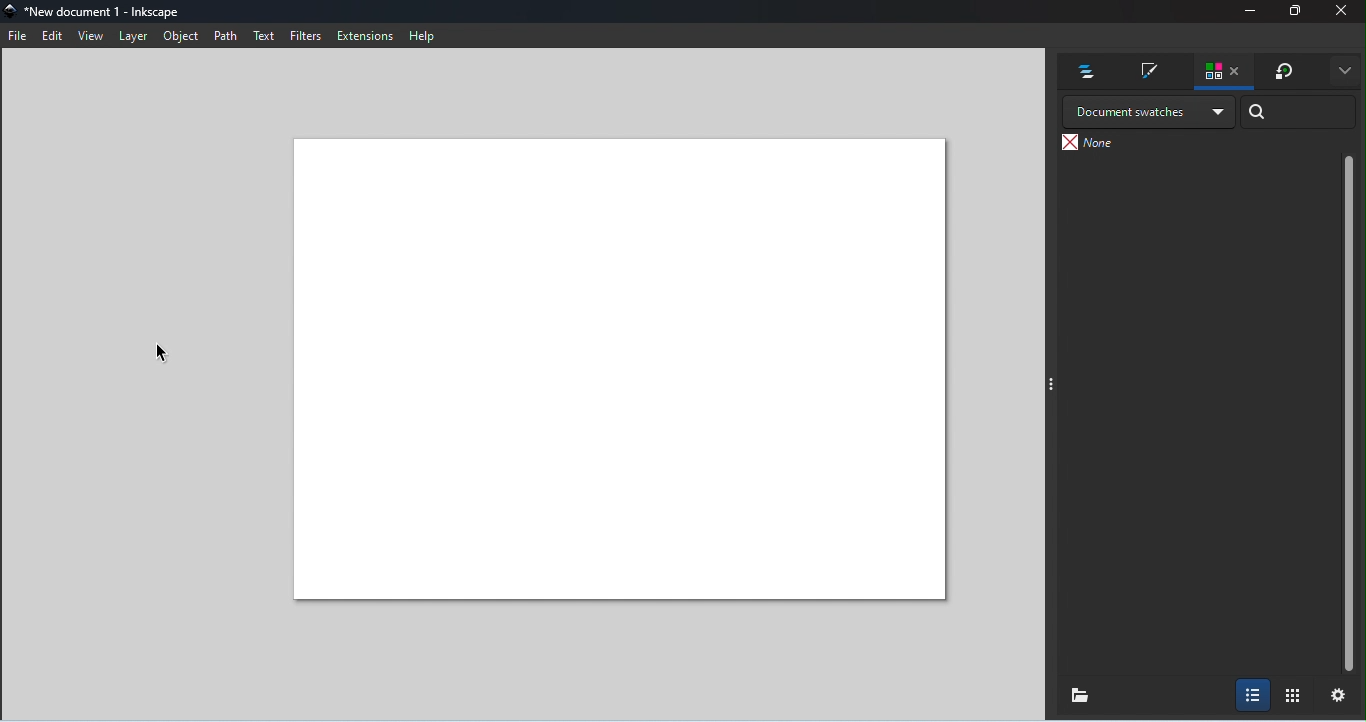 The height and width of the screenshot is (722, 1366). I want to click on Filters, so click(308, 36).